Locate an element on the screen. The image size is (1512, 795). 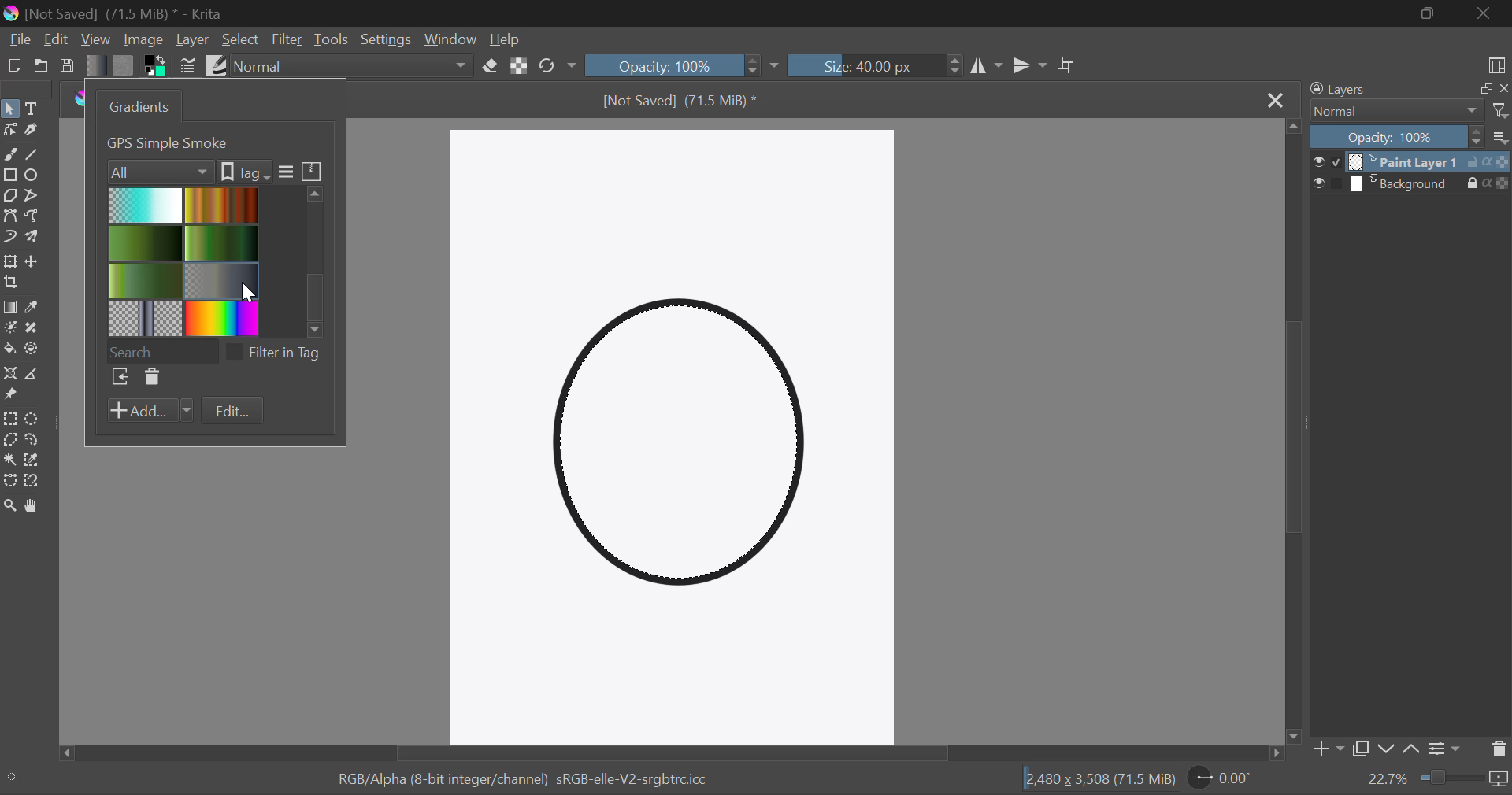
Green gradient 1 is located at coordinates (224, 244).